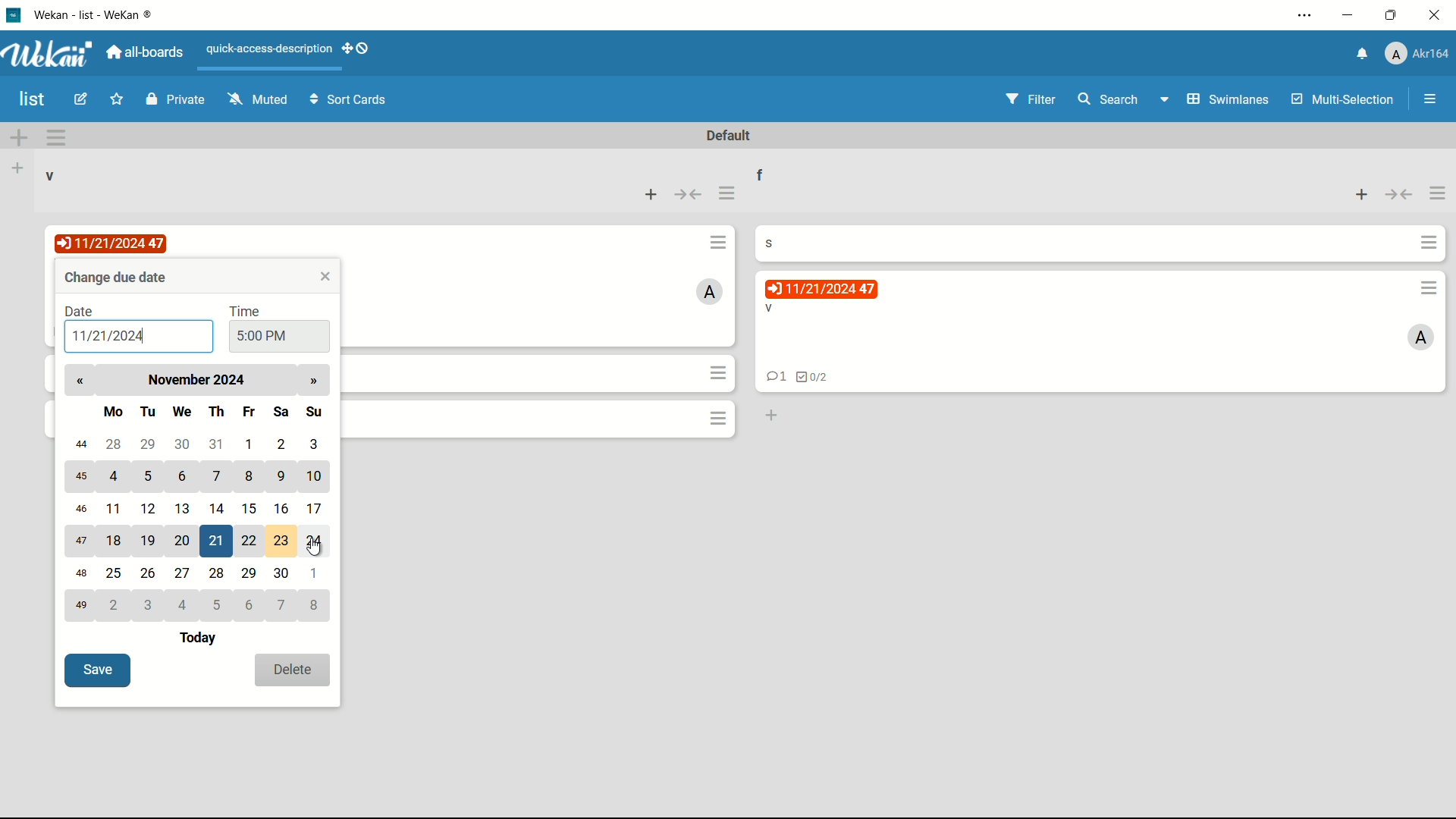  What do you see at coordinates (293, 670) in the screenshot?
I see `delete` at bounding box center [293, 670].